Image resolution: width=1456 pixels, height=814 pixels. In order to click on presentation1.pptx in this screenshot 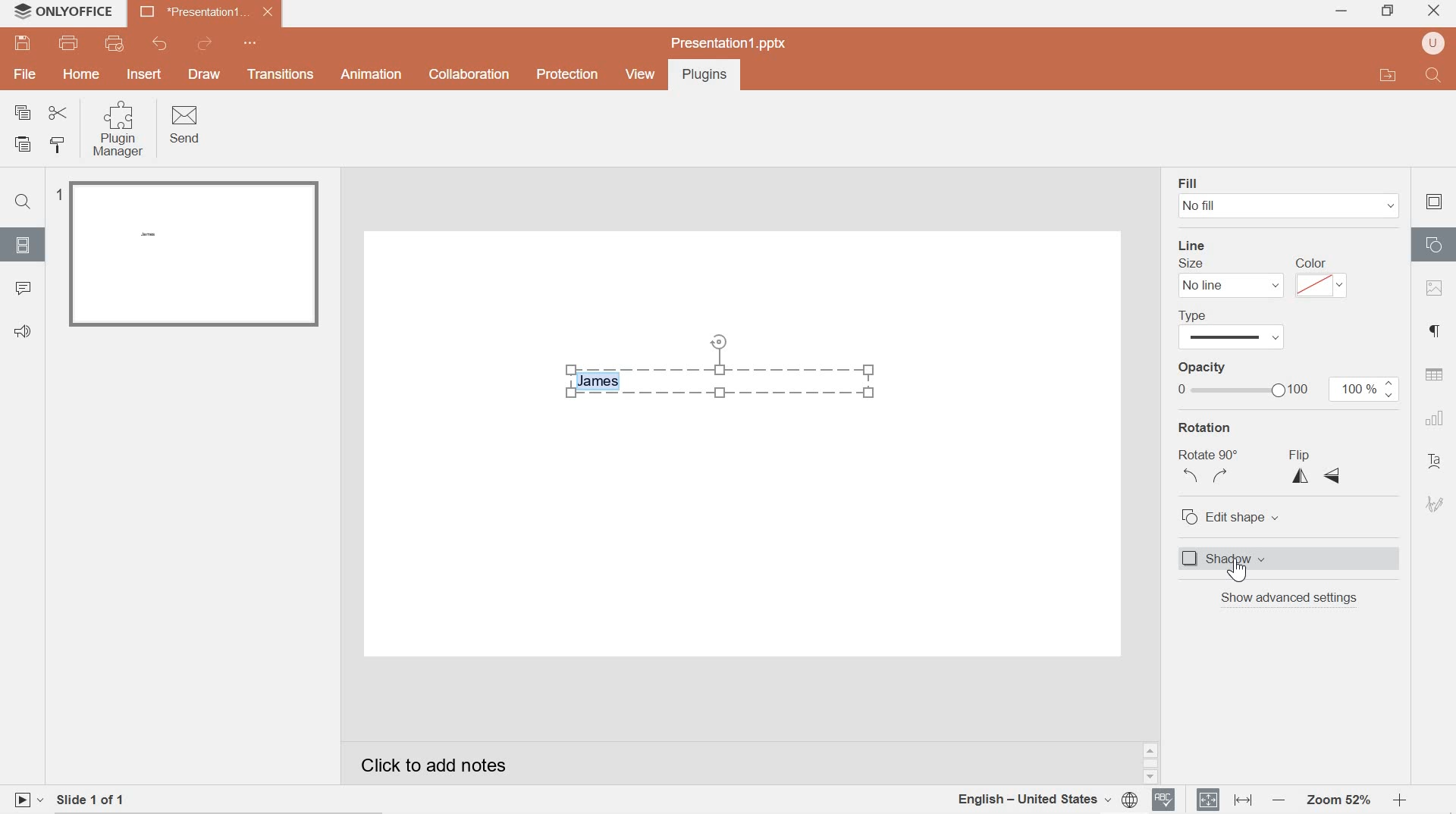, I will do `click(728, 42)`.